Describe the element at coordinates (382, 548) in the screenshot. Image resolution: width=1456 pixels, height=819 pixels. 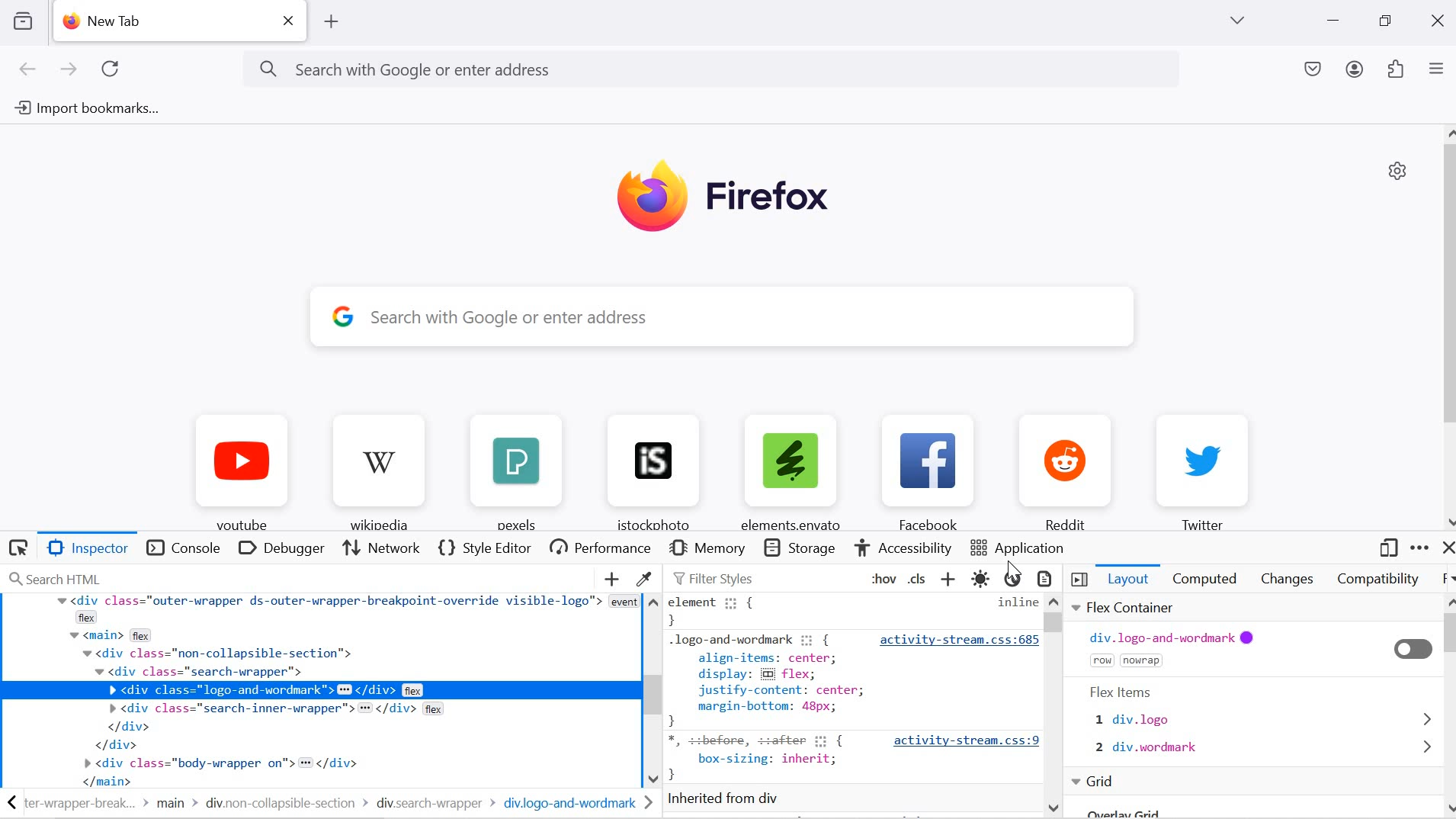
I see `Network` at that location.